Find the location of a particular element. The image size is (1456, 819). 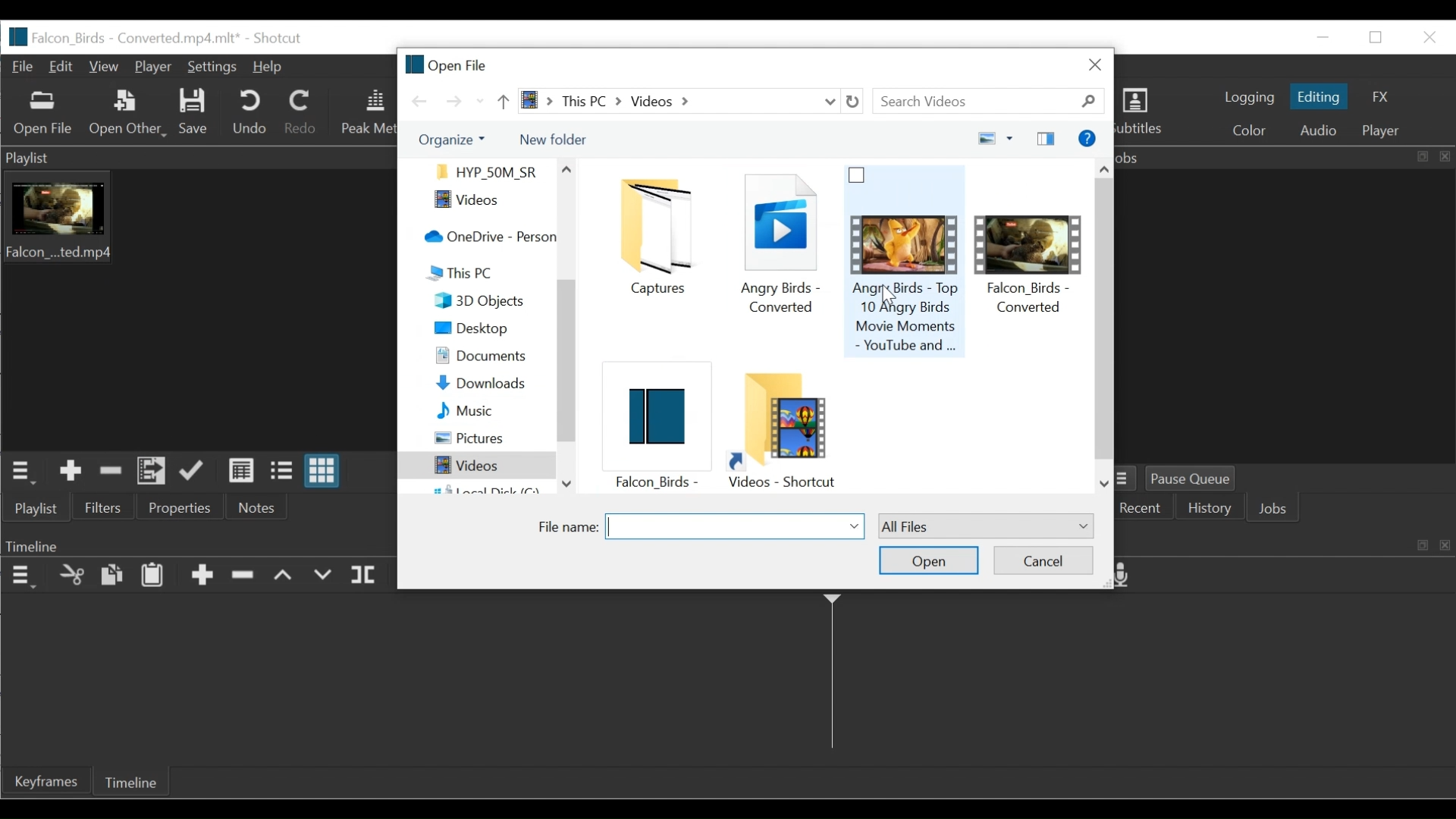

lift is located at coordinates (284, 576).